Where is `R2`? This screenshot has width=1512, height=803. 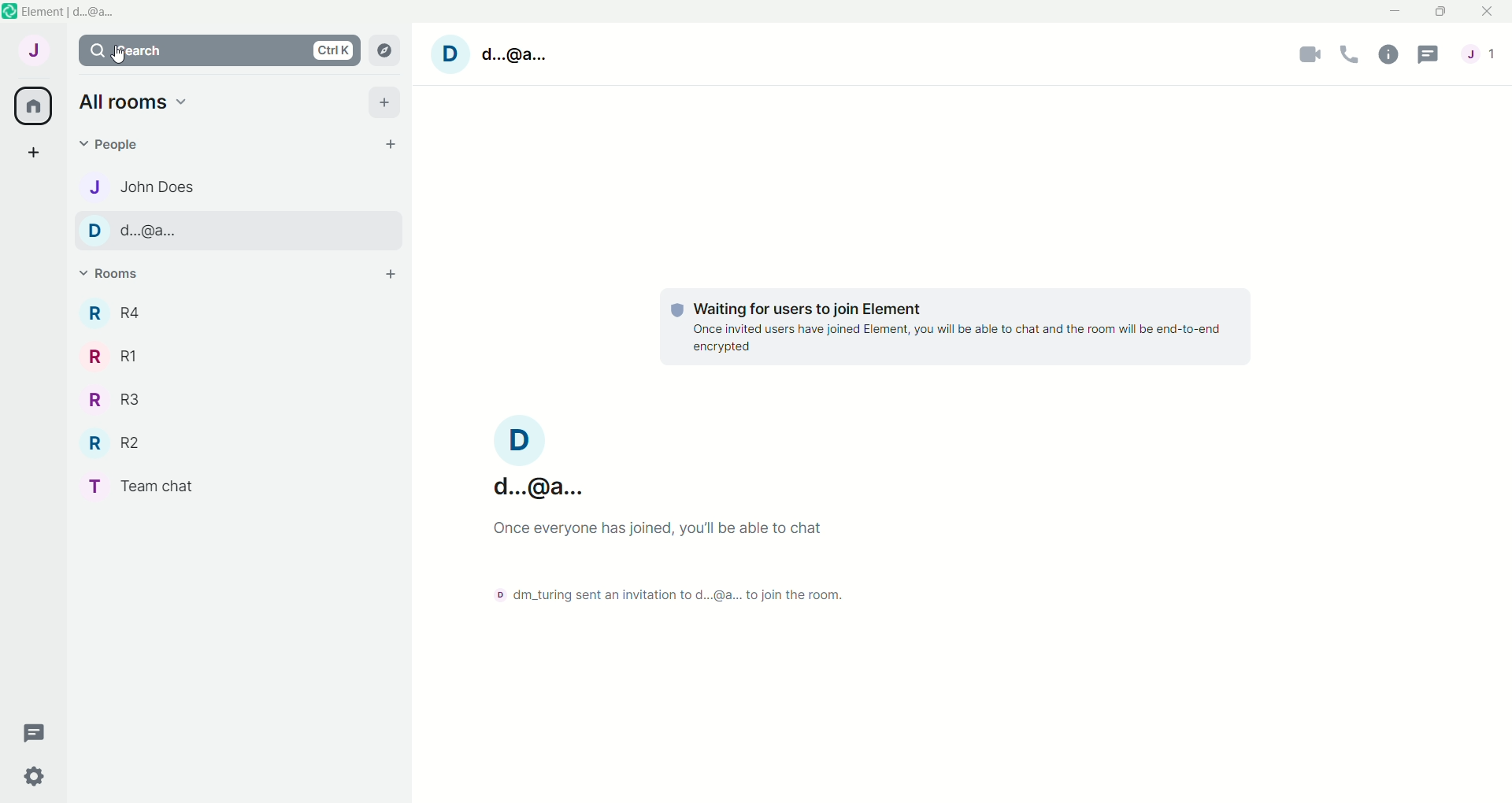
R2 is located at coordinates (120, 445).